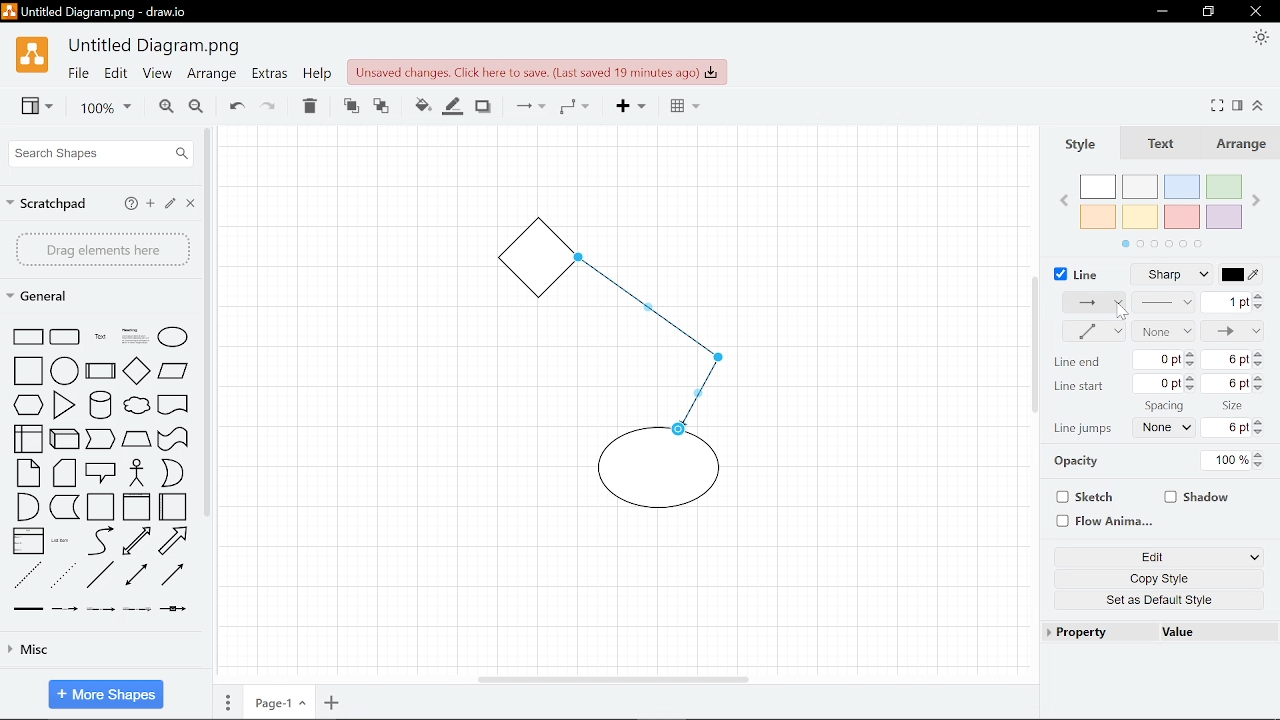  Describe the element at coordinates (1262, 466) in the screenshot. I see `Decrease opacity` at that location.